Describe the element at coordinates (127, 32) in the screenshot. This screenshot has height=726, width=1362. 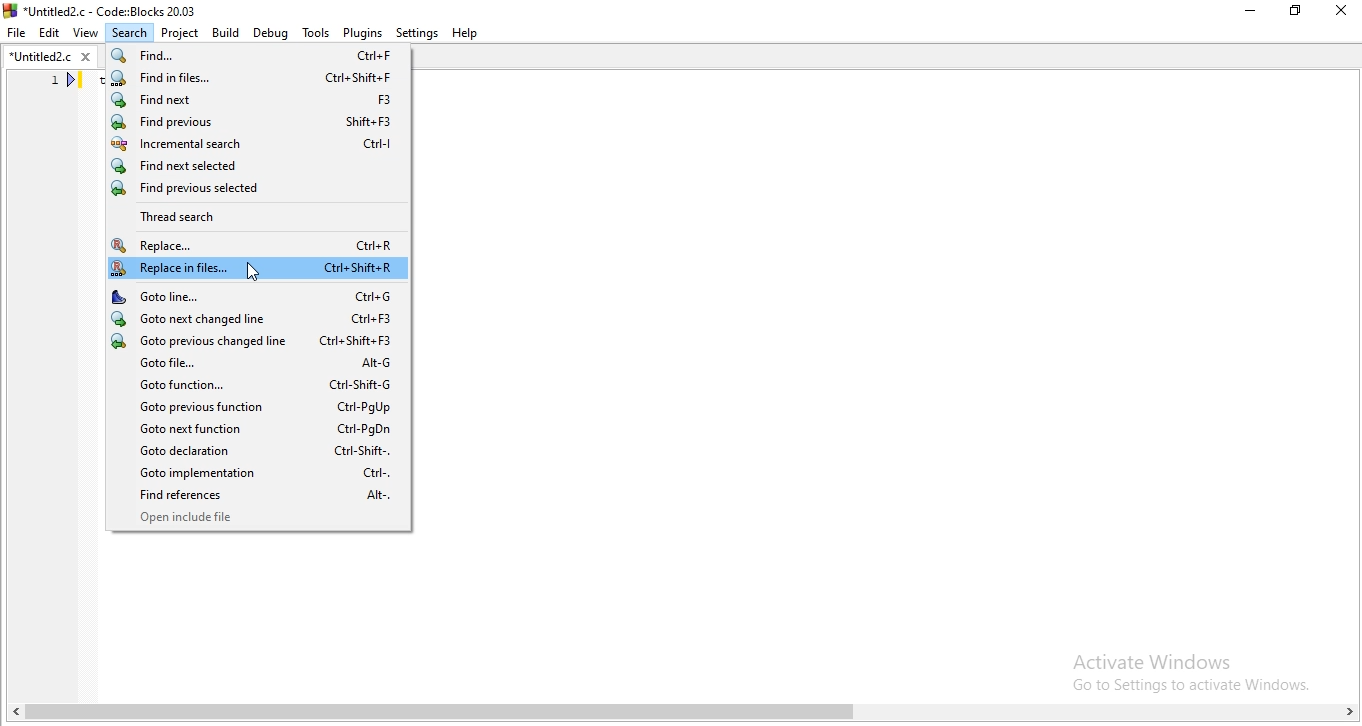
I see `Search ` at that location.